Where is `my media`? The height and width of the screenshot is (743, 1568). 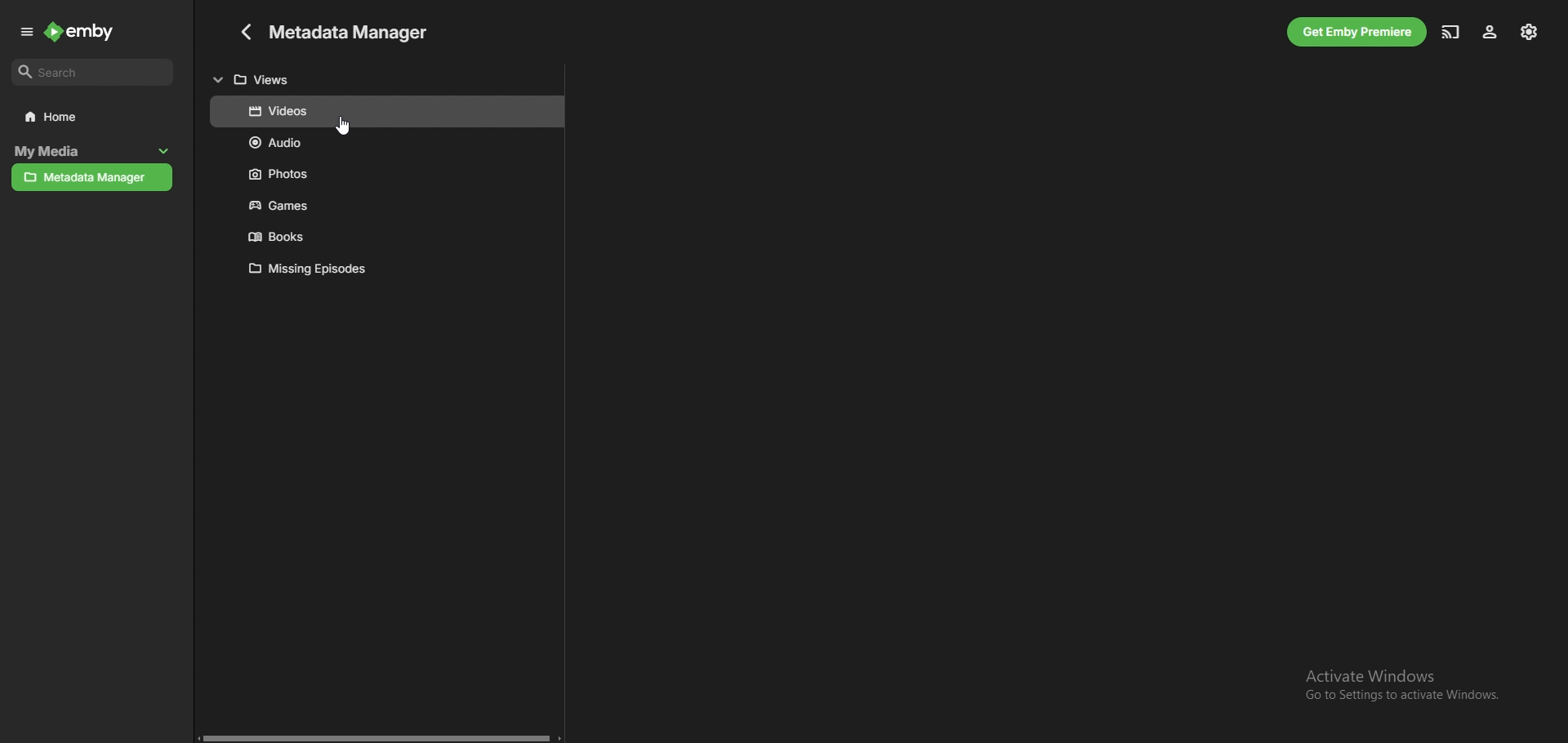
my media is located at coordinates (73, 152).